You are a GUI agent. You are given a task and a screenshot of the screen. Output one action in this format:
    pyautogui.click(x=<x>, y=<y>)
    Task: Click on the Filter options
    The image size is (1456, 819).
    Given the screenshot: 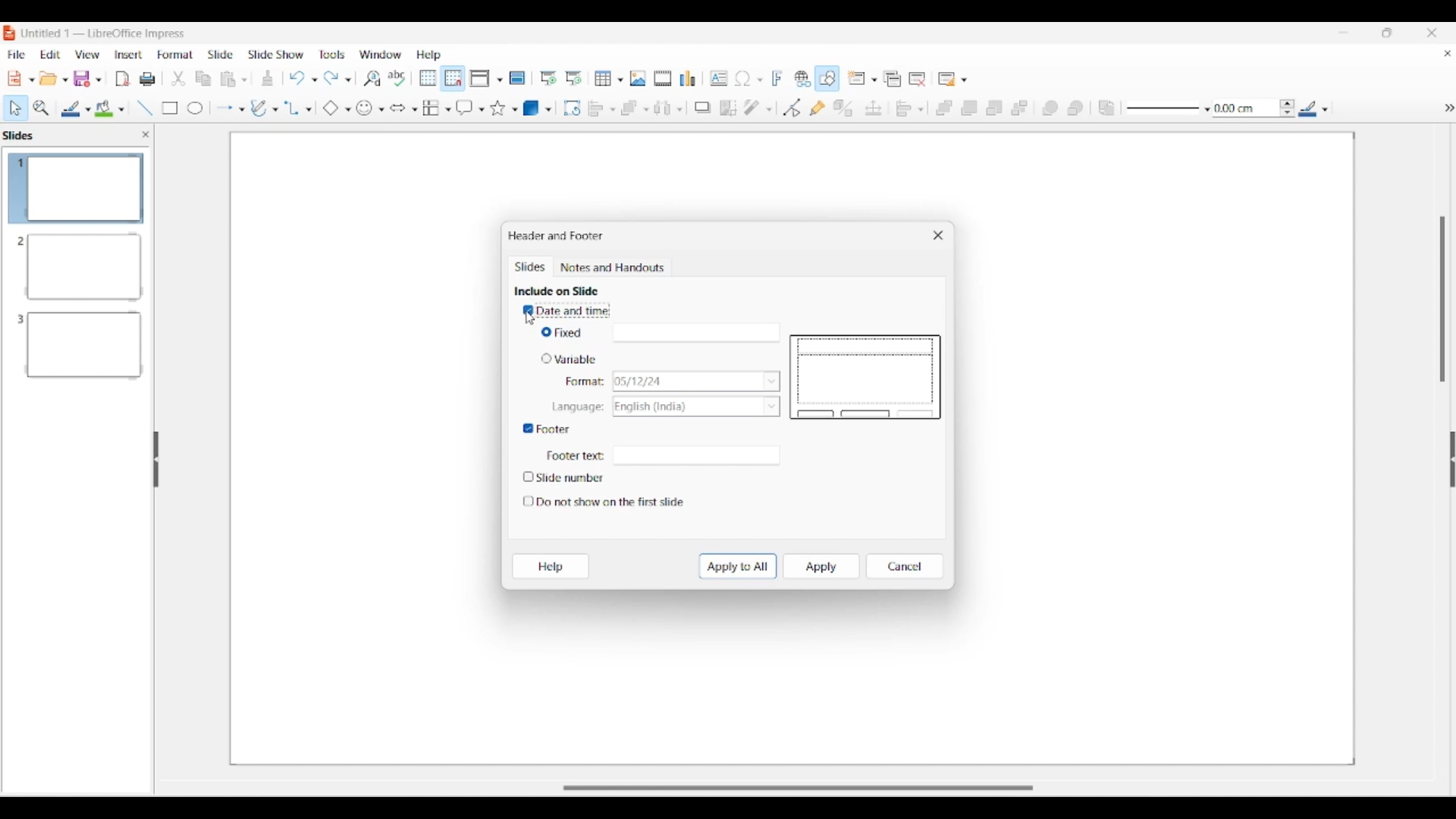 What is the action you would take?
    pyautogui.click(x=758, y=108)
    